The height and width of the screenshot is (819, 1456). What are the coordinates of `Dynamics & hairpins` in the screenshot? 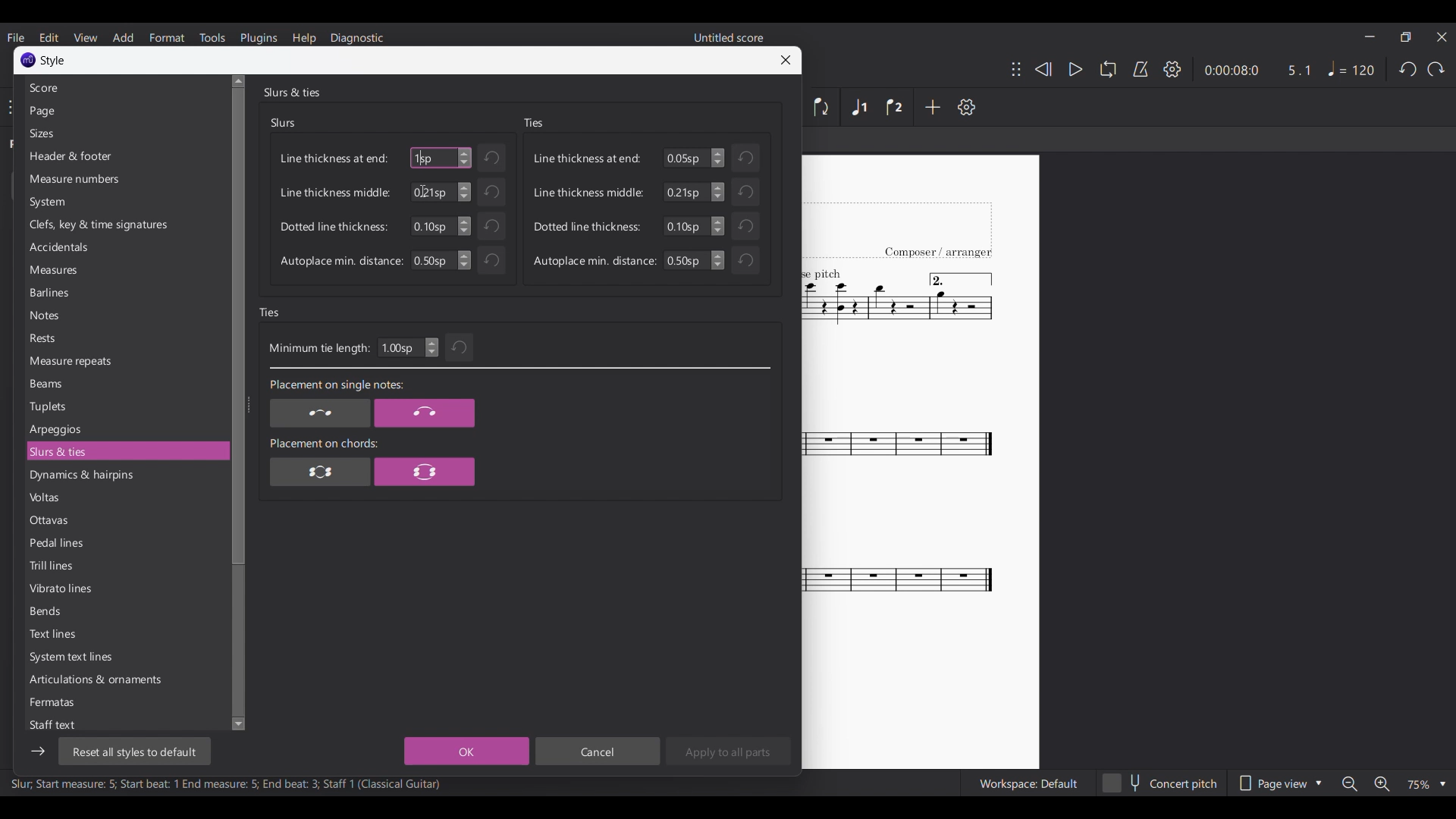 It's located at (125, 475).